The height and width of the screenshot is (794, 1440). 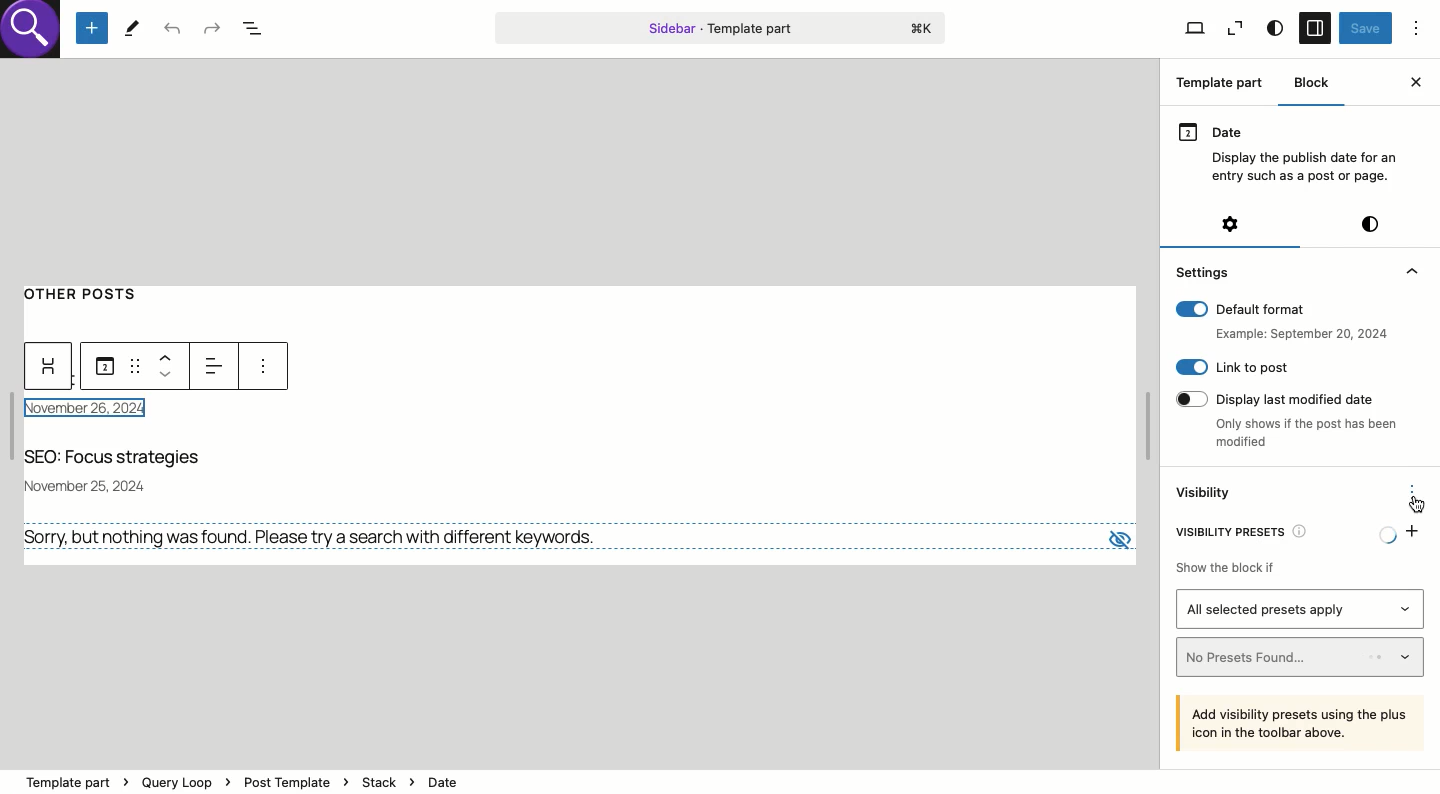 I want to click on All selected presets apply, so click(x=1301, y=609).